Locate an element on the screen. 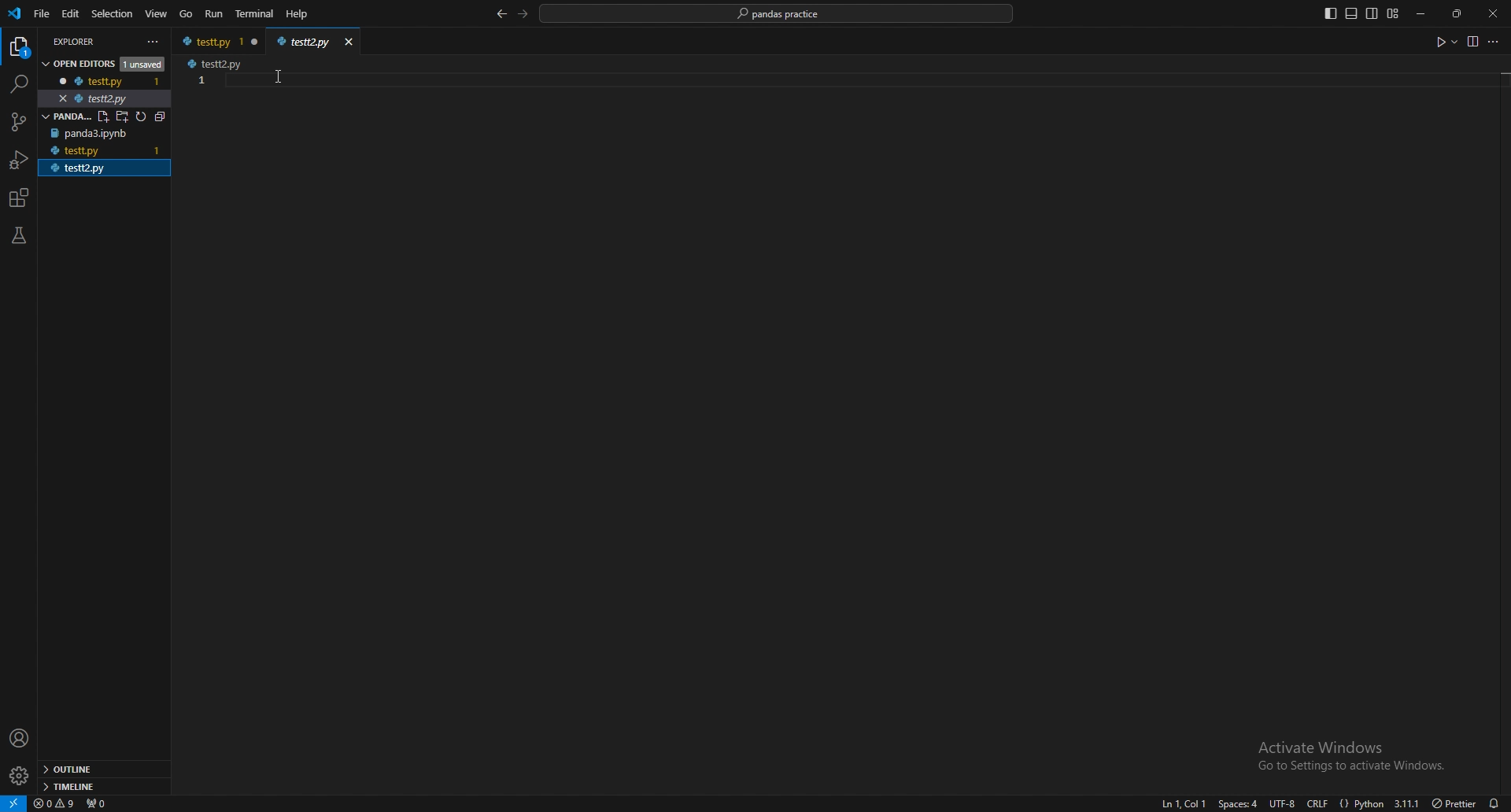 The height and width of the screenshot is (812, 1511). resize is located at coordinates (1459, 13).